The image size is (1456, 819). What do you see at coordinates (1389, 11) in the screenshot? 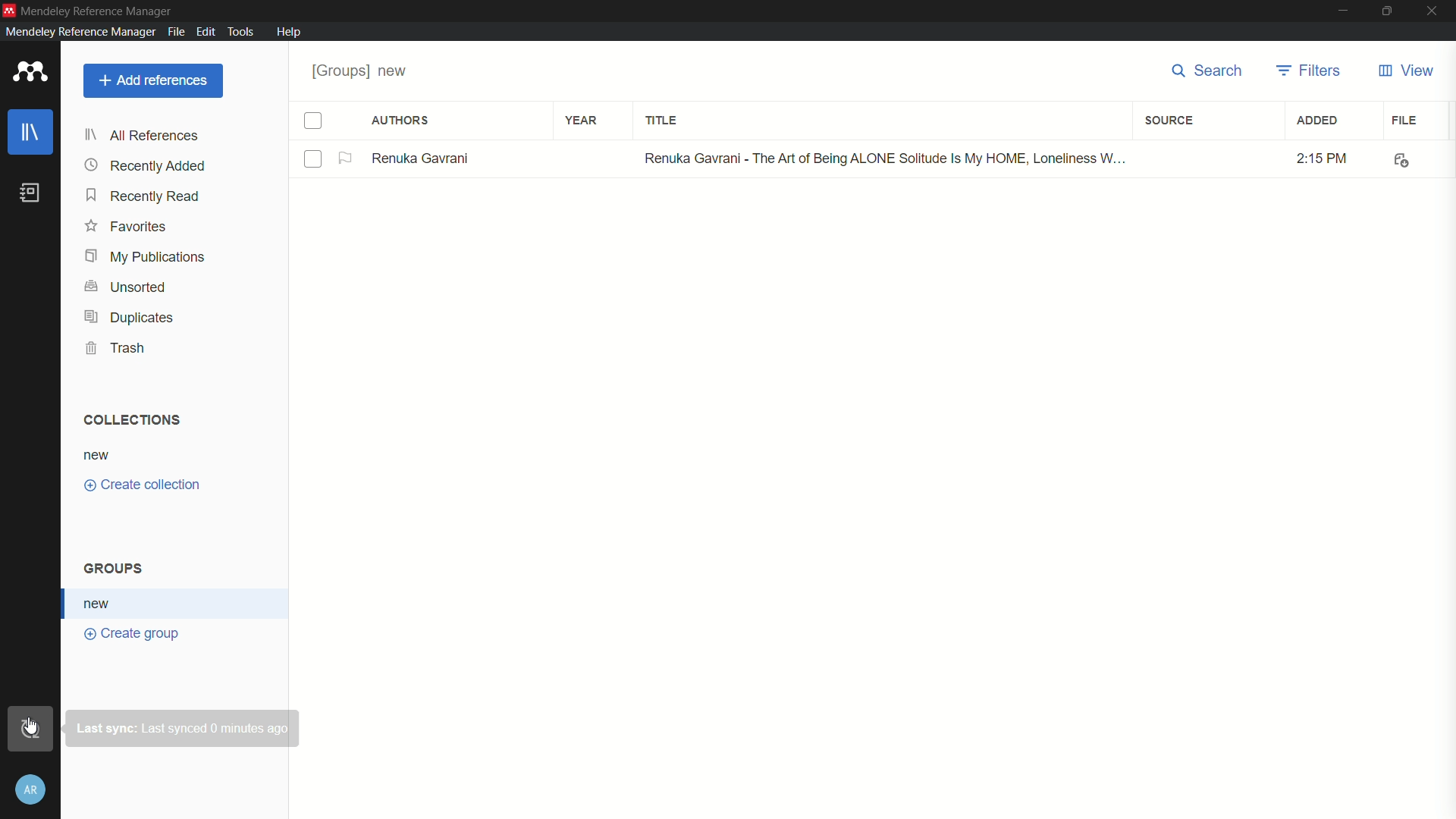
I see `maximize` at bounding box center [1389, 11].